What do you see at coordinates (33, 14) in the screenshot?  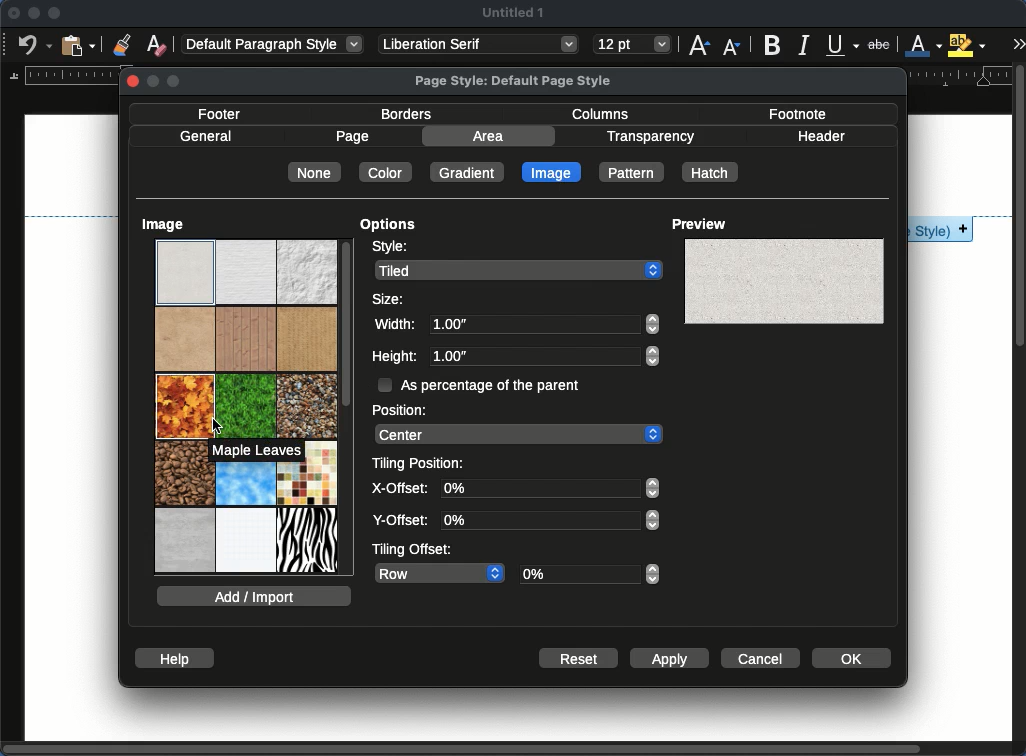 I see `minimize` at bounding box center [33, 14].